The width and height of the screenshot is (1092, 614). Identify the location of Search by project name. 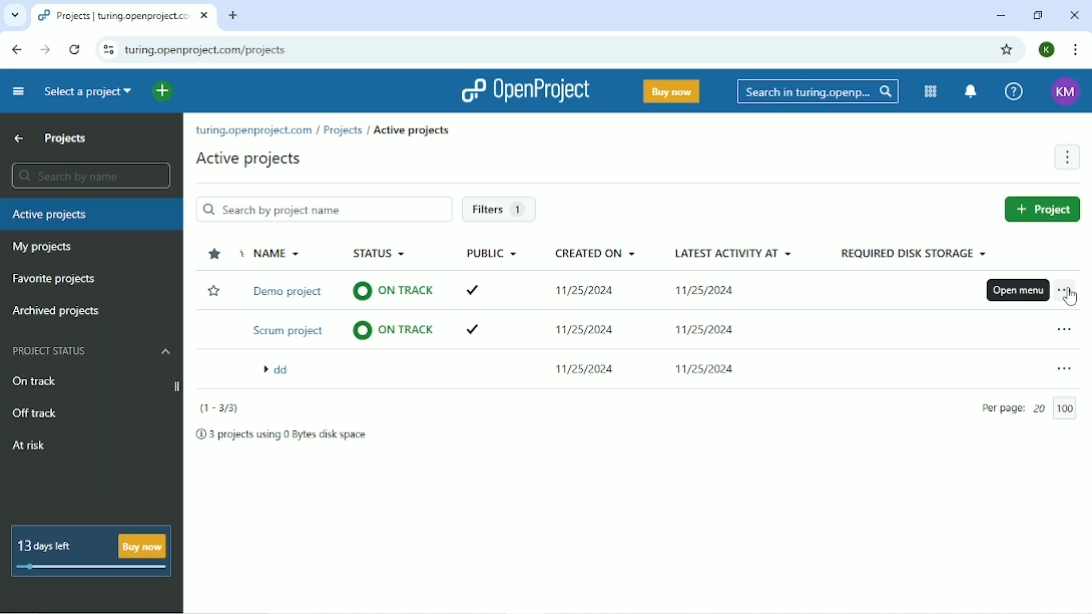
(323, 209).